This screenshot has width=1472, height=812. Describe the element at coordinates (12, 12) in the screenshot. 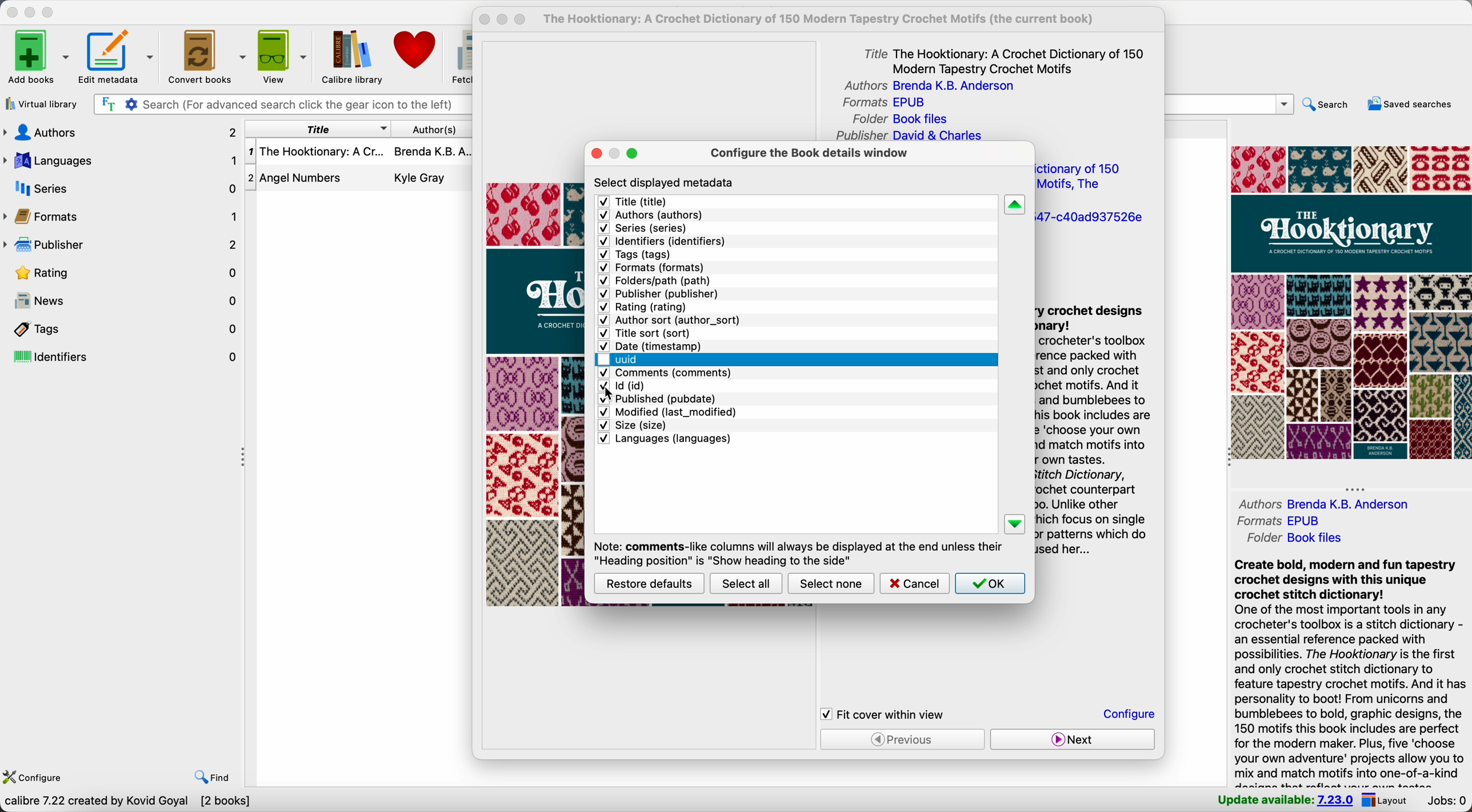

I see `close` at that location.